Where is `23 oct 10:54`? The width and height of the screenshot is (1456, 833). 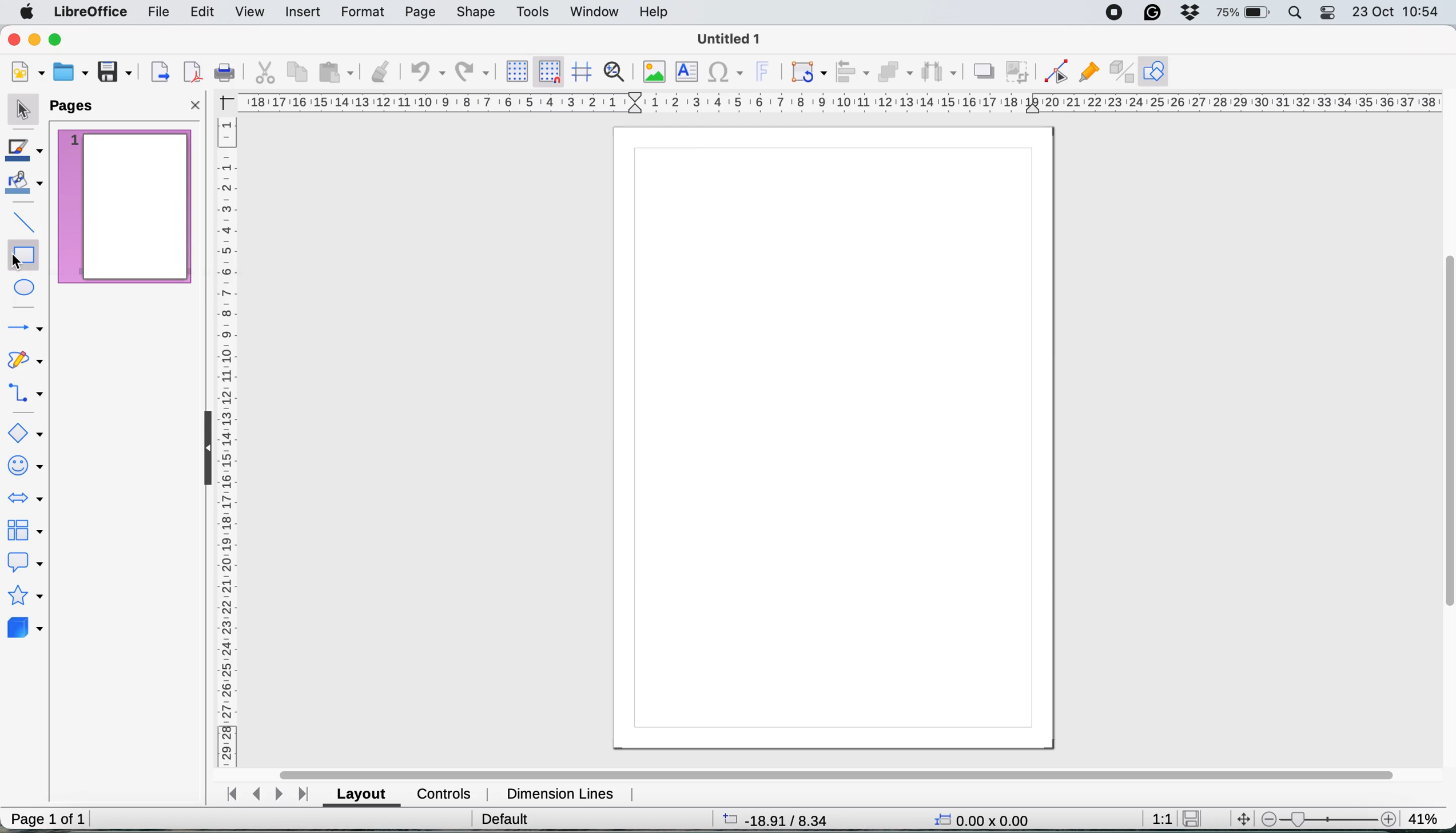 23 oct 10:54 is located at coordinates (1397, 12).